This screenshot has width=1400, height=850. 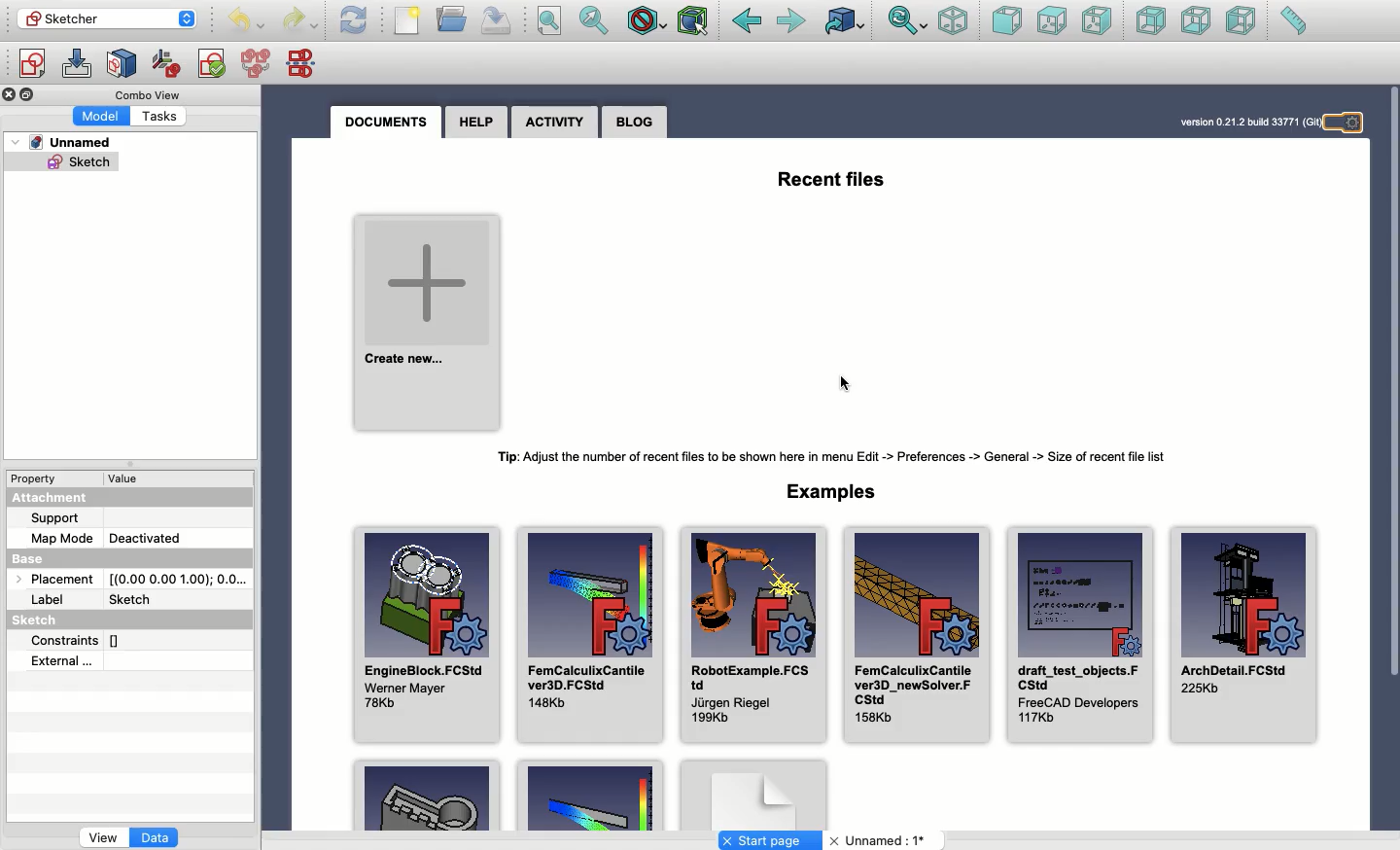 What do you see at coordinates (136, 582) in the screenshot?
I see `Placement [(0.00 0.00 1.00); 0.0...` at bounding box center [136, 582].